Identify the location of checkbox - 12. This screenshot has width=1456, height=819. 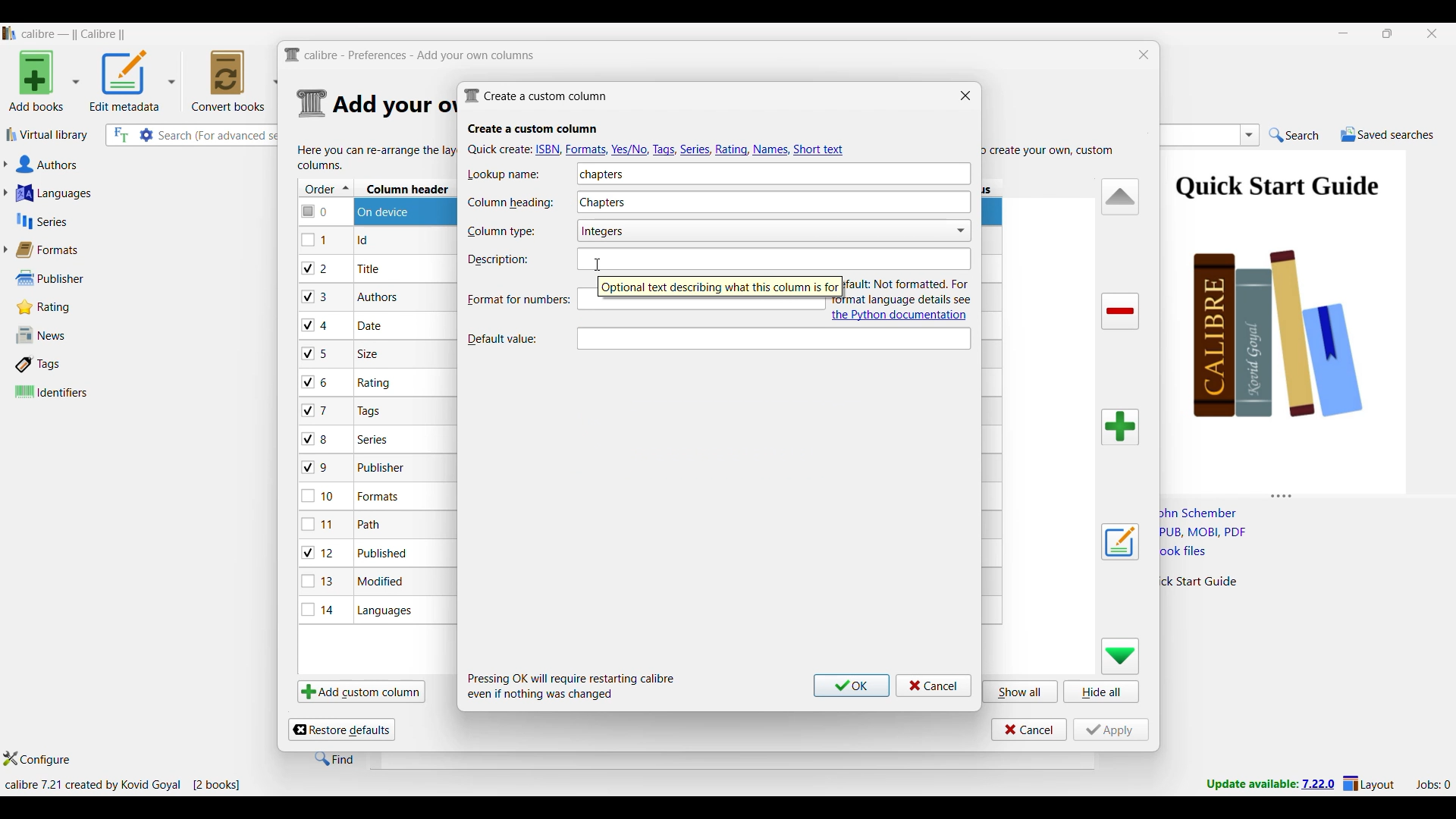
(320, 552).